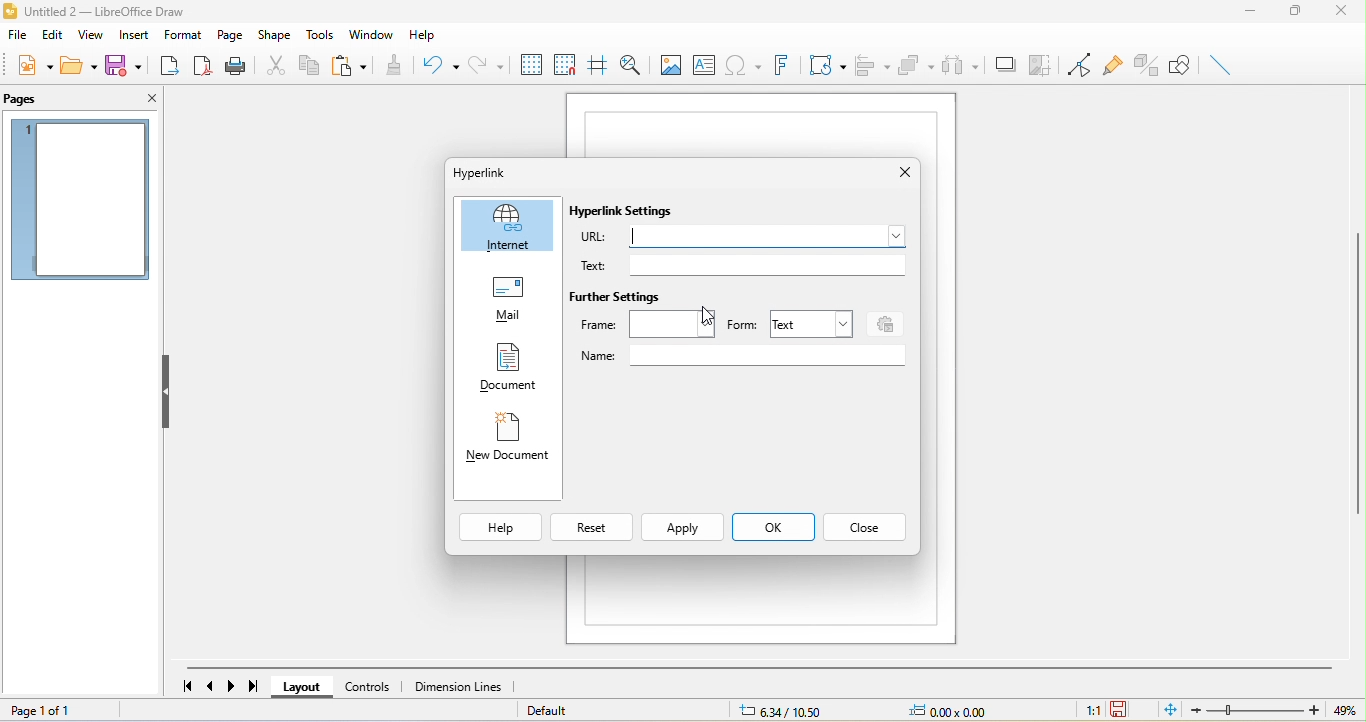 The height and width of the screenshot is (722, 1366). Describe the element at coordinates (531, 64) in the screenshot. I see `display grid` at that location.